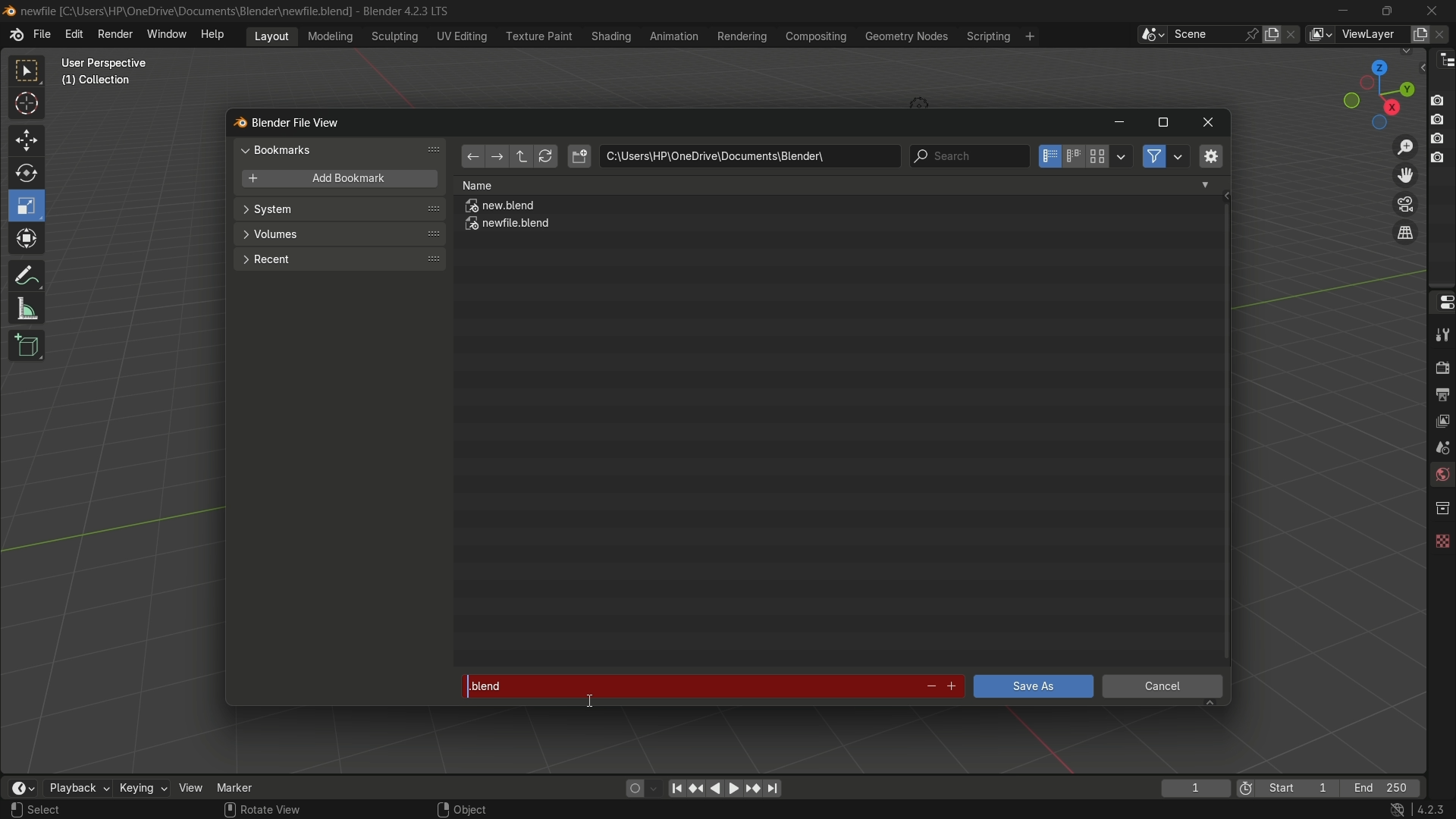  What do you see at coordinates (1441, 538) in the screenshot?
I see `texture` at bounding box center [1441, 538].